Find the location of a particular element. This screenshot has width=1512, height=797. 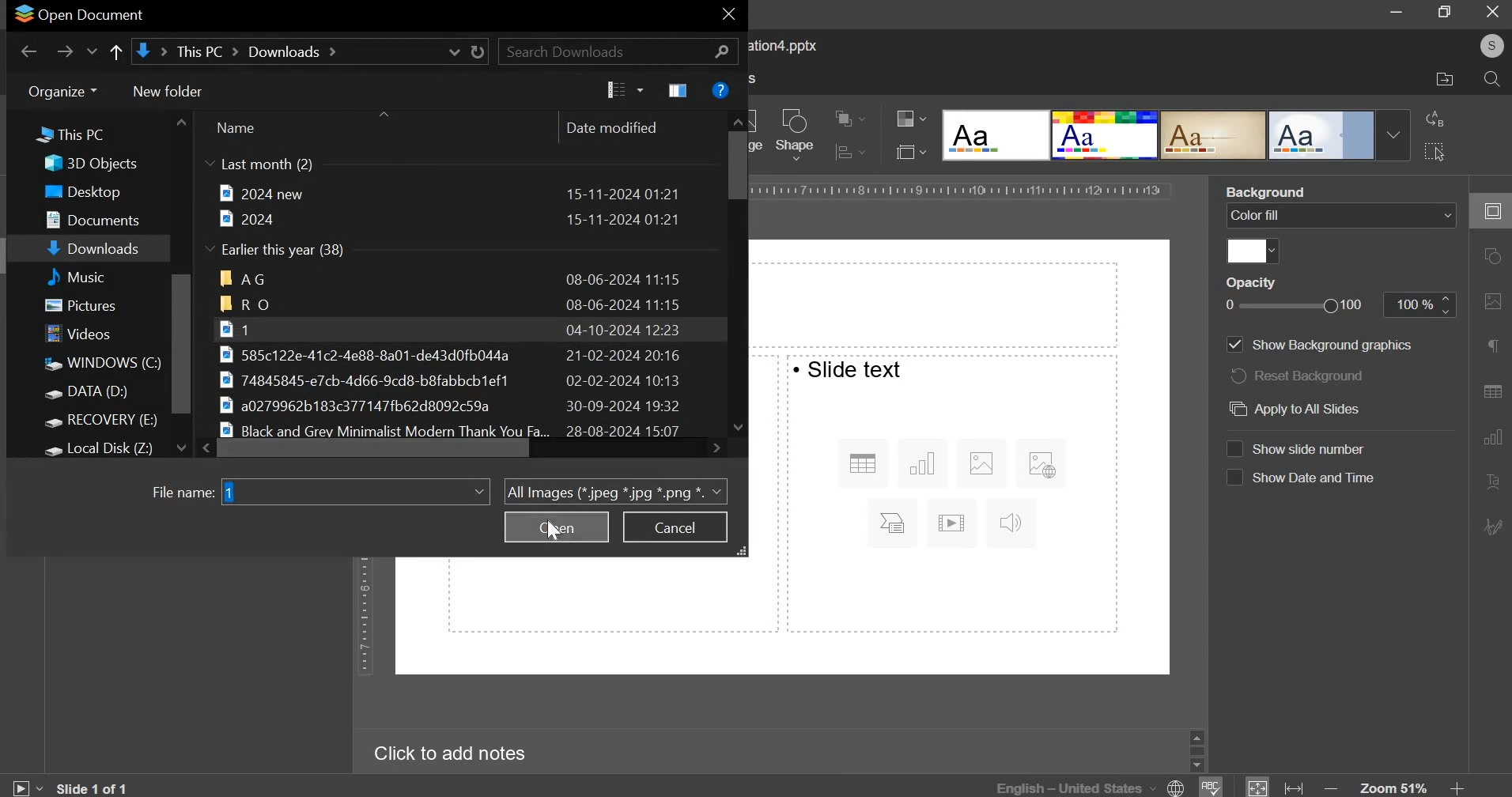

downloads is located at coordinates (96, 250).